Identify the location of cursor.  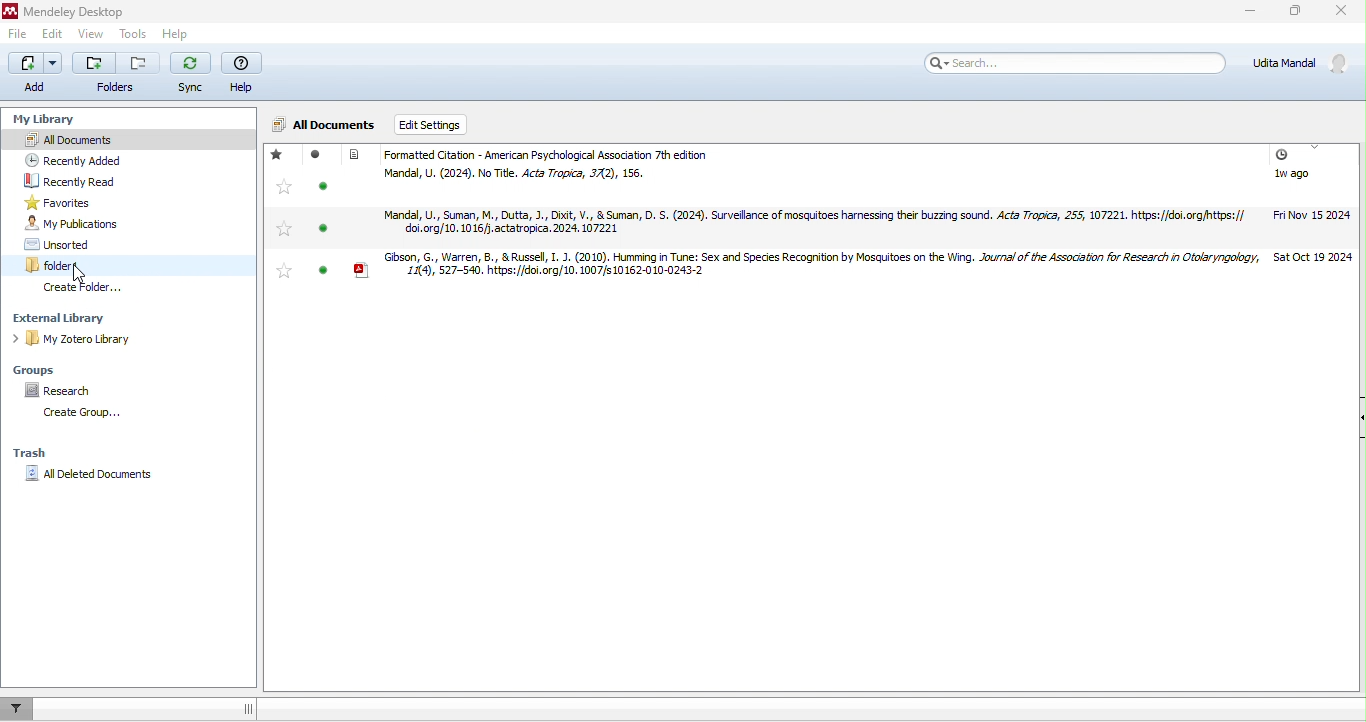
(79, 274).